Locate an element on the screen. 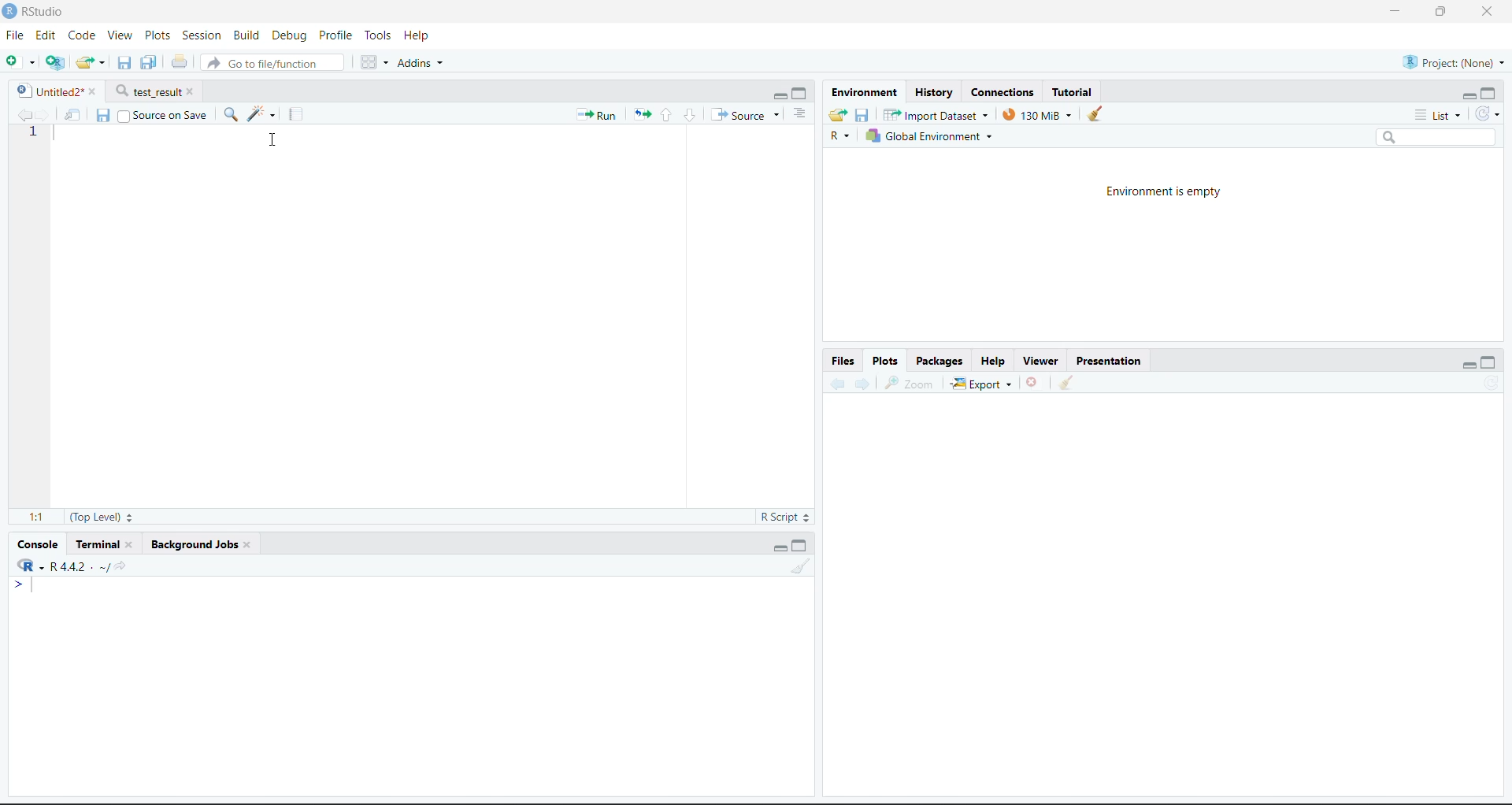 The height and width of the screenshot is (805, 1512). Source on Save is located at coordinates (167, 114).